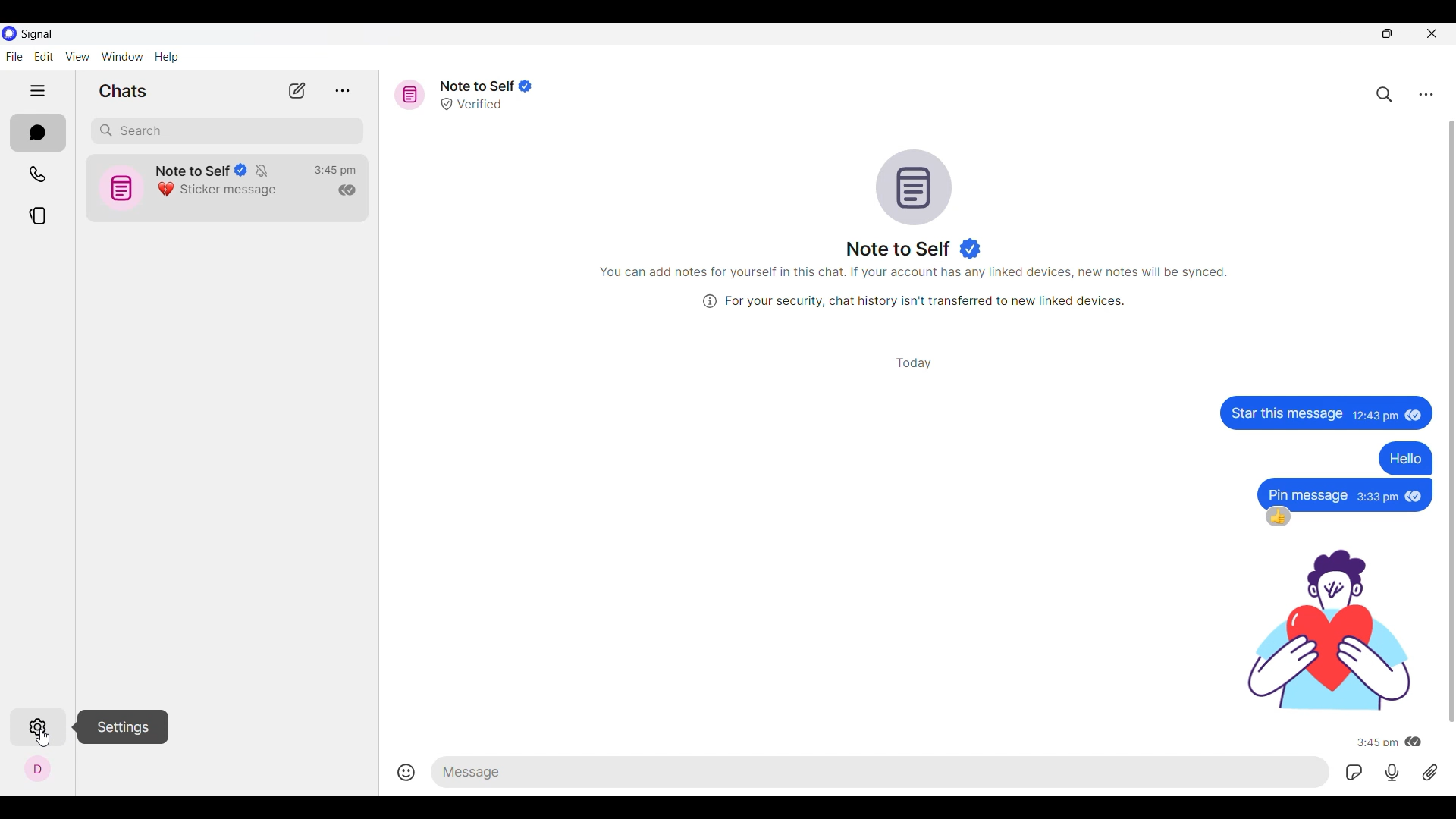  I want to click on Name of receiver , so click(899, 249).